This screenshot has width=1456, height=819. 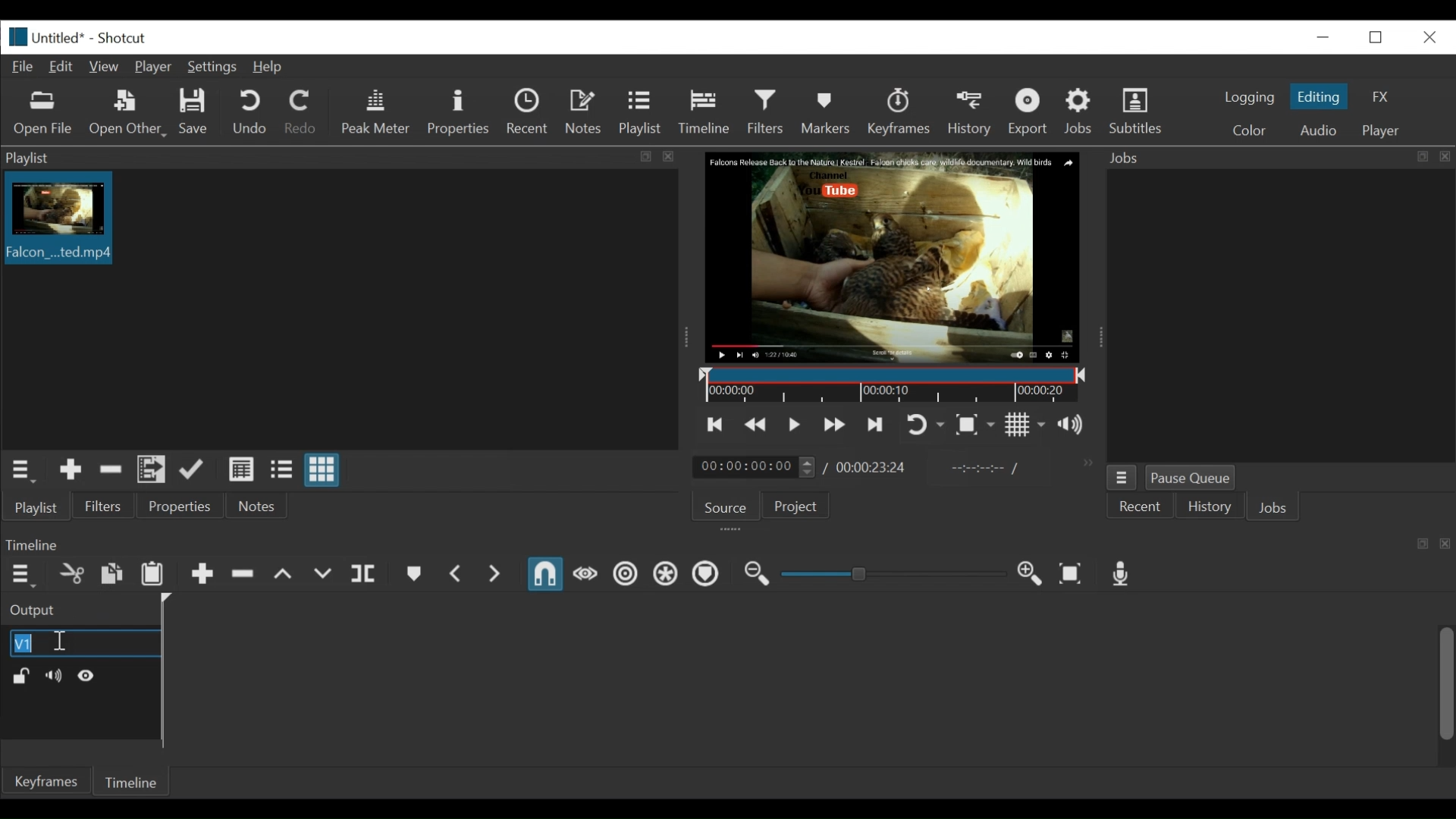 What do you see at coordinates (249, 113) in the screenshot?
I see `Undo` at bounding box center [249, 113].